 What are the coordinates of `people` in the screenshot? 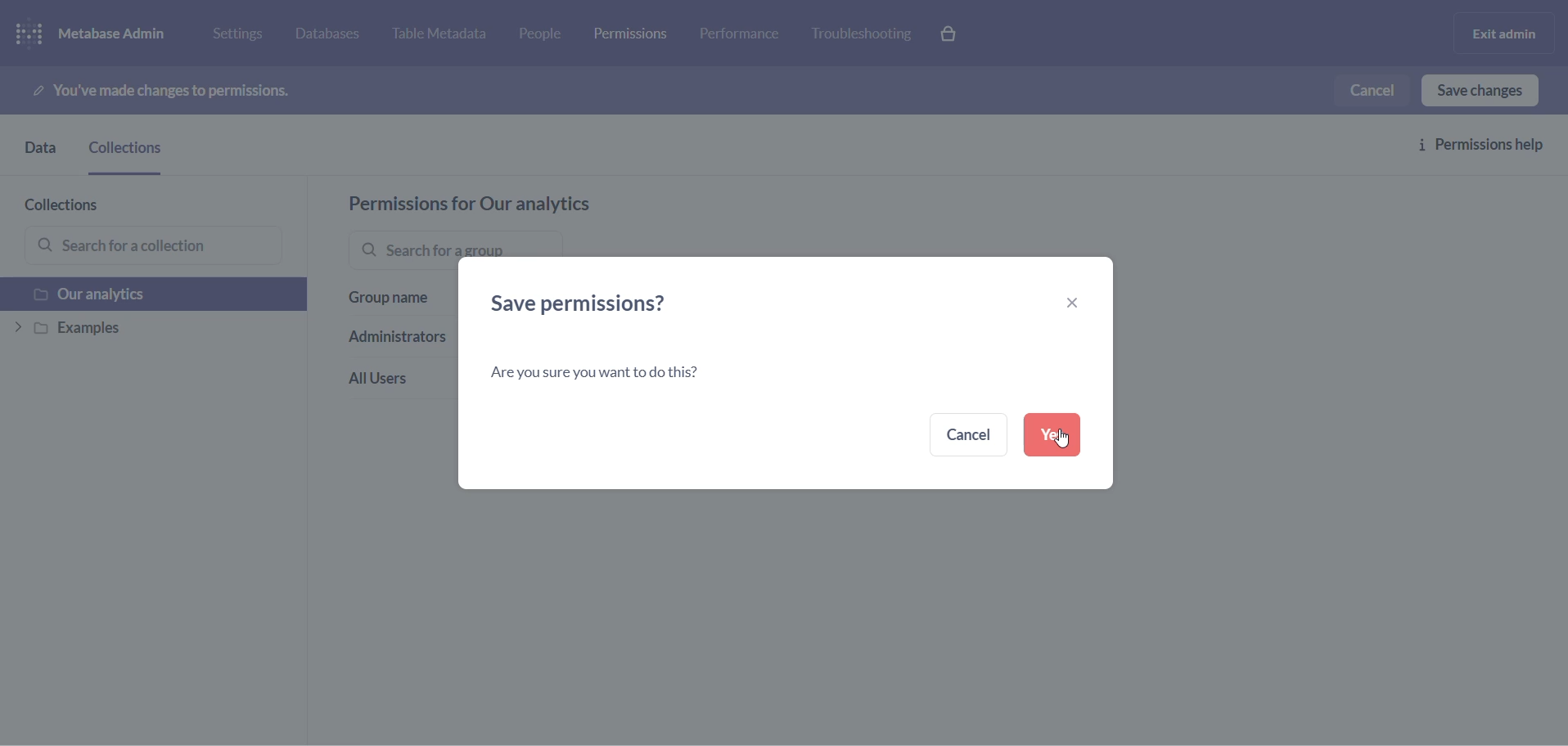 It's located at (547, 36).